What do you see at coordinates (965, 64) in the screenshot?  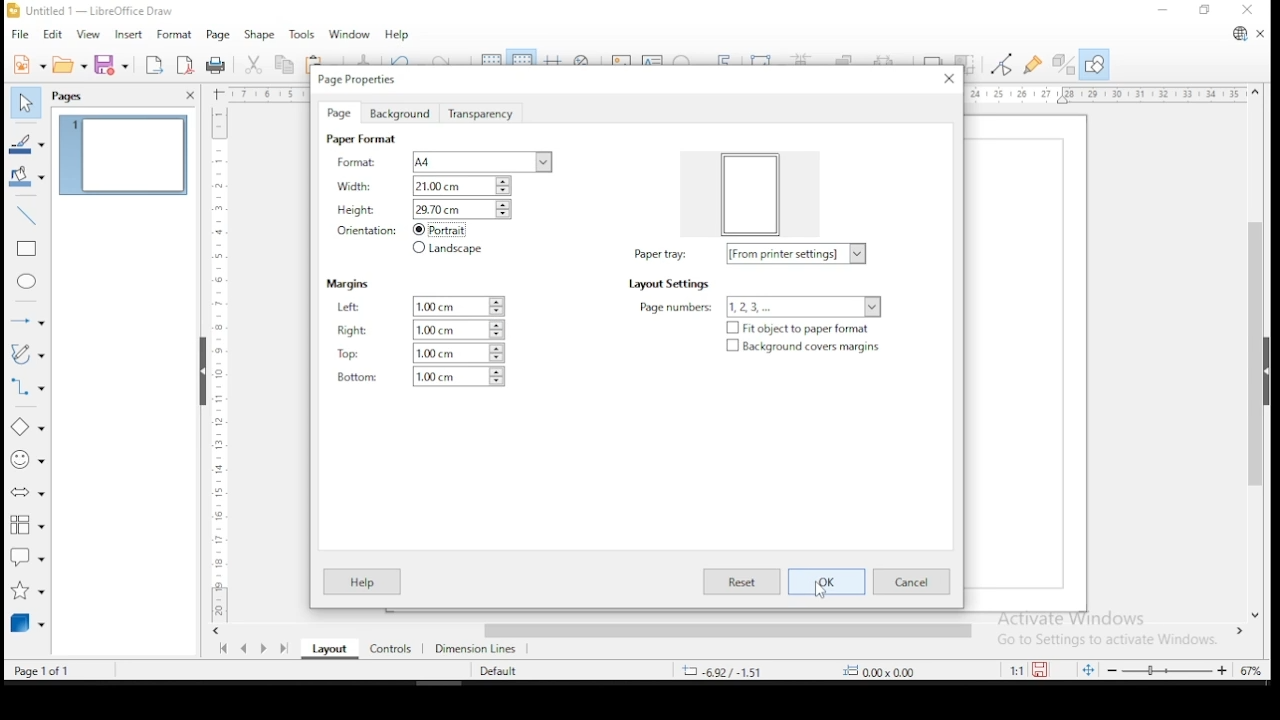 I see `crop` at bounding box center [965, 64].